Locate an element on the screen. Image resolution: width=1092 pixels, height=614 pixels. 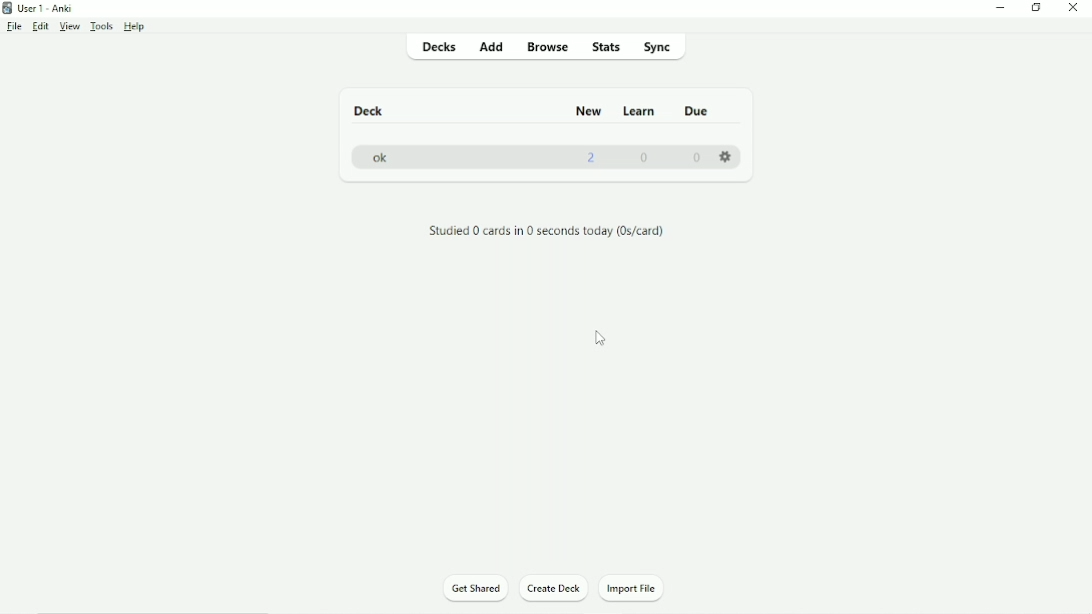
2 is located at coordinates (592, 158).